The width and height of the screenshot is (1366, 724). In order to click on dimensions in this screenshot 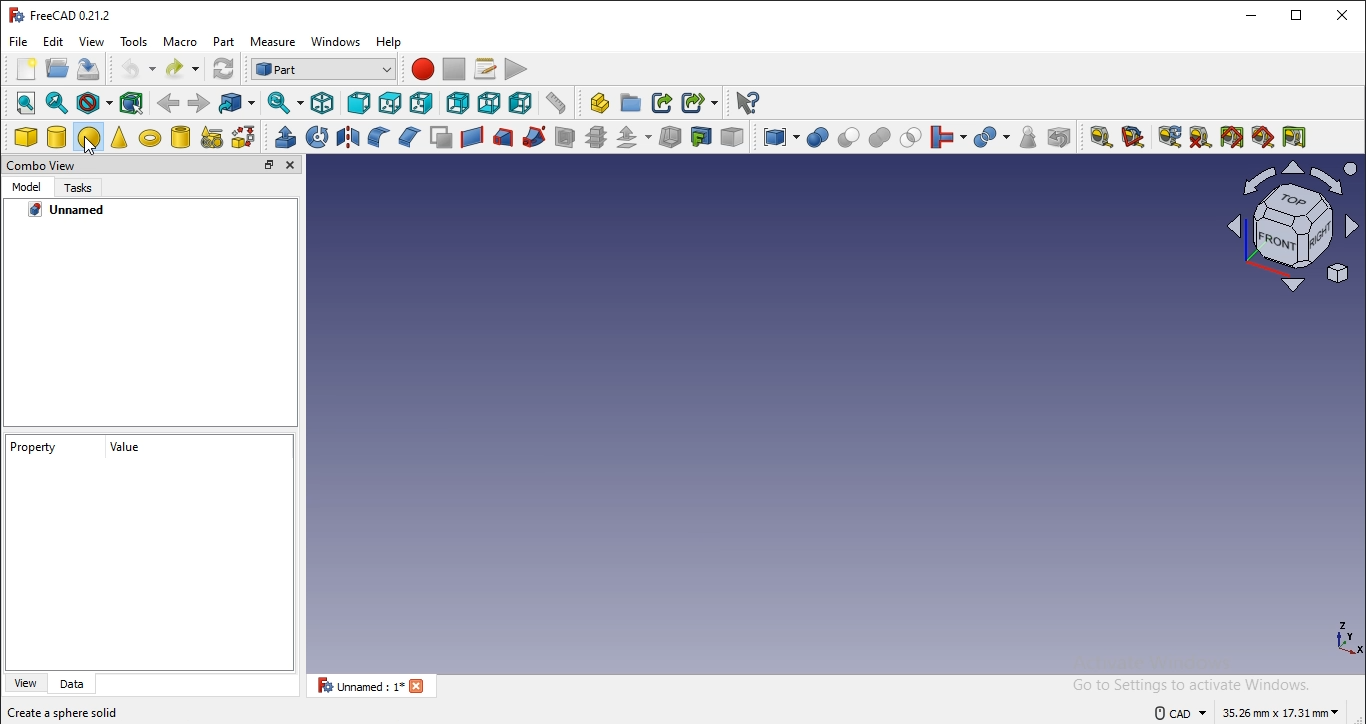, I will do `click(1246, 710)`.